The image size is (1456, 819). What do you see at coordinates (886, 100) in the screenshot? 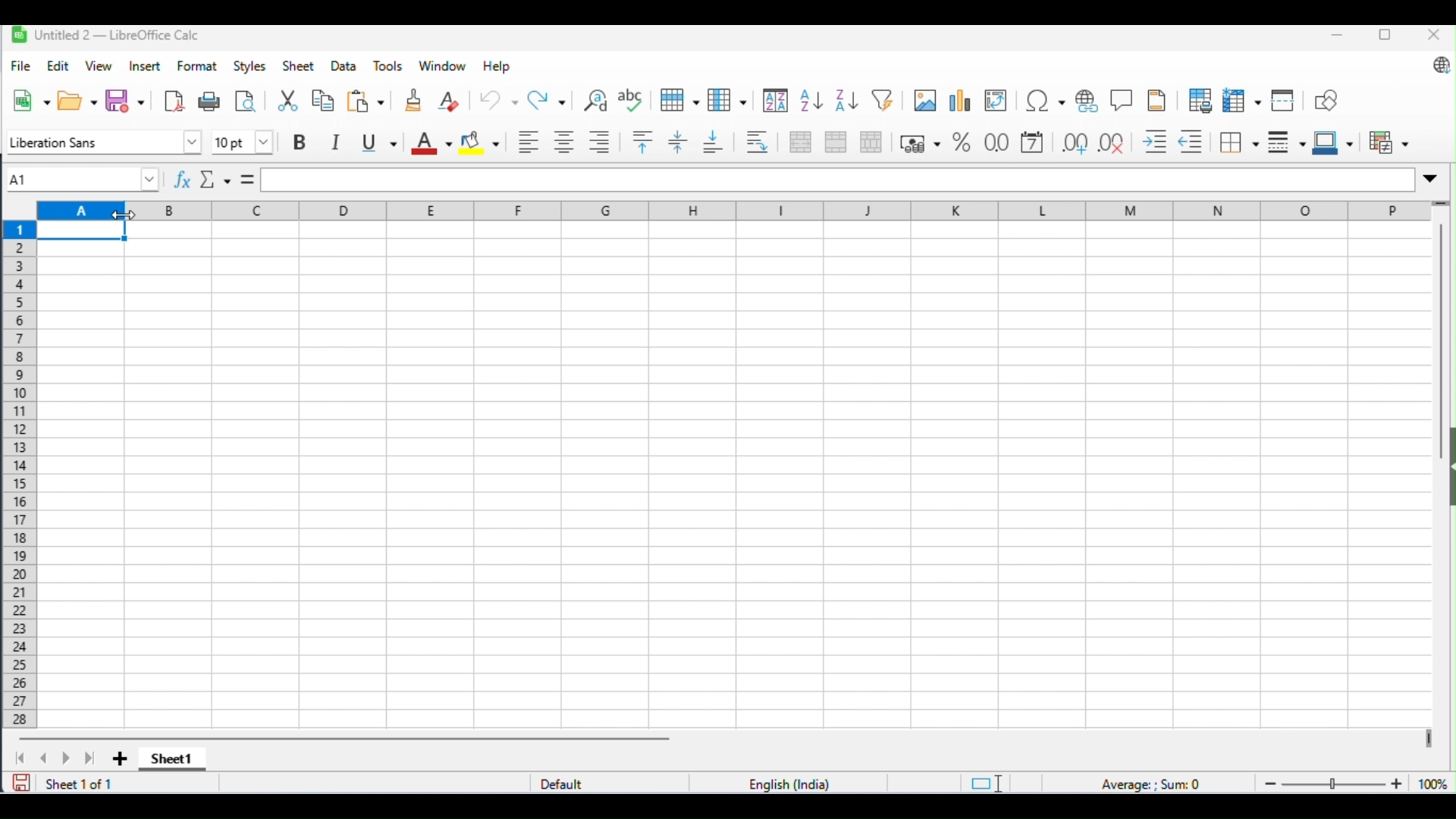
I see `filter` at bounding box center [886, 100].